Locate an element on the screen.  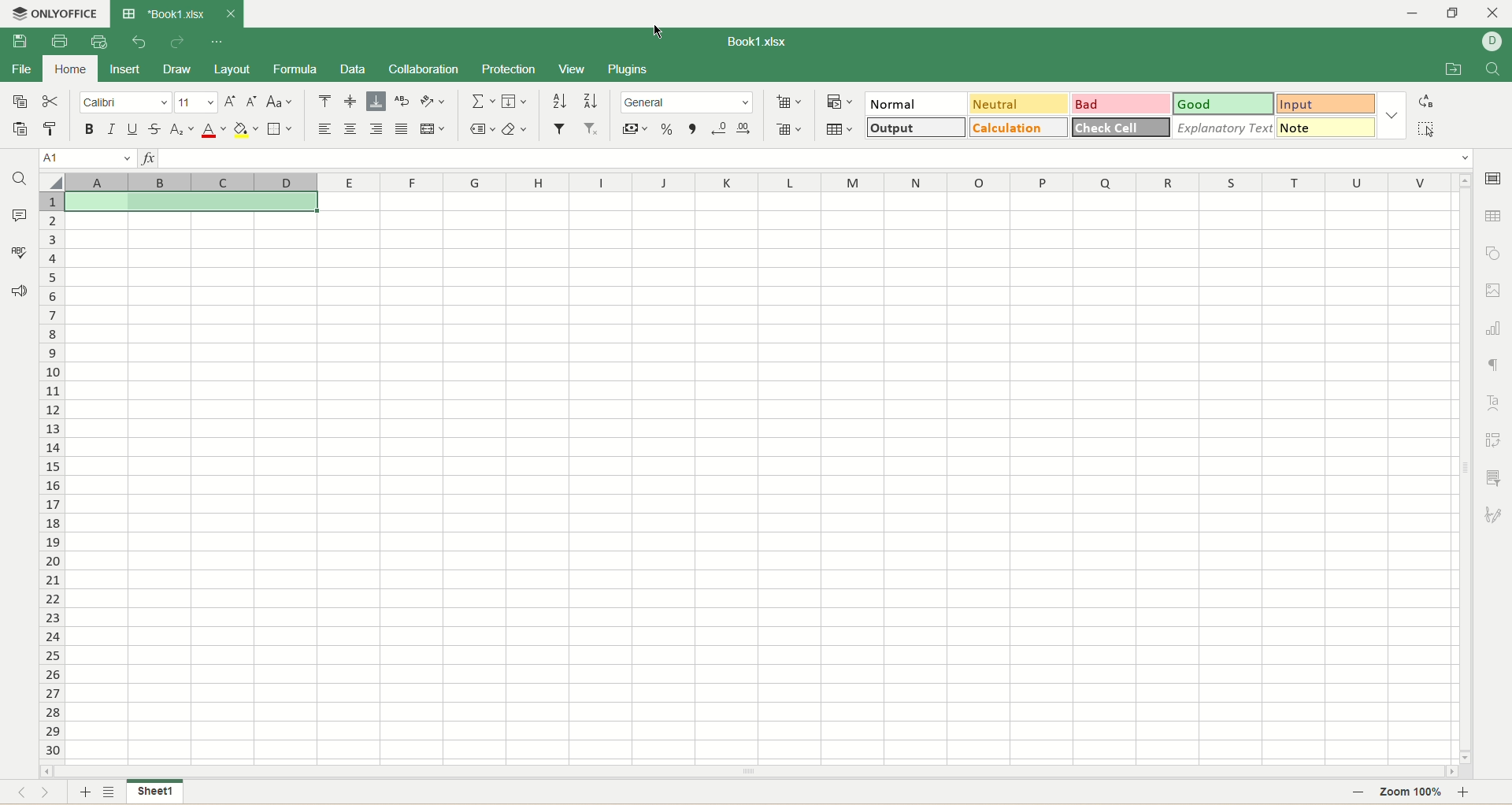
text art settings is located at coordinates (1495, 403).